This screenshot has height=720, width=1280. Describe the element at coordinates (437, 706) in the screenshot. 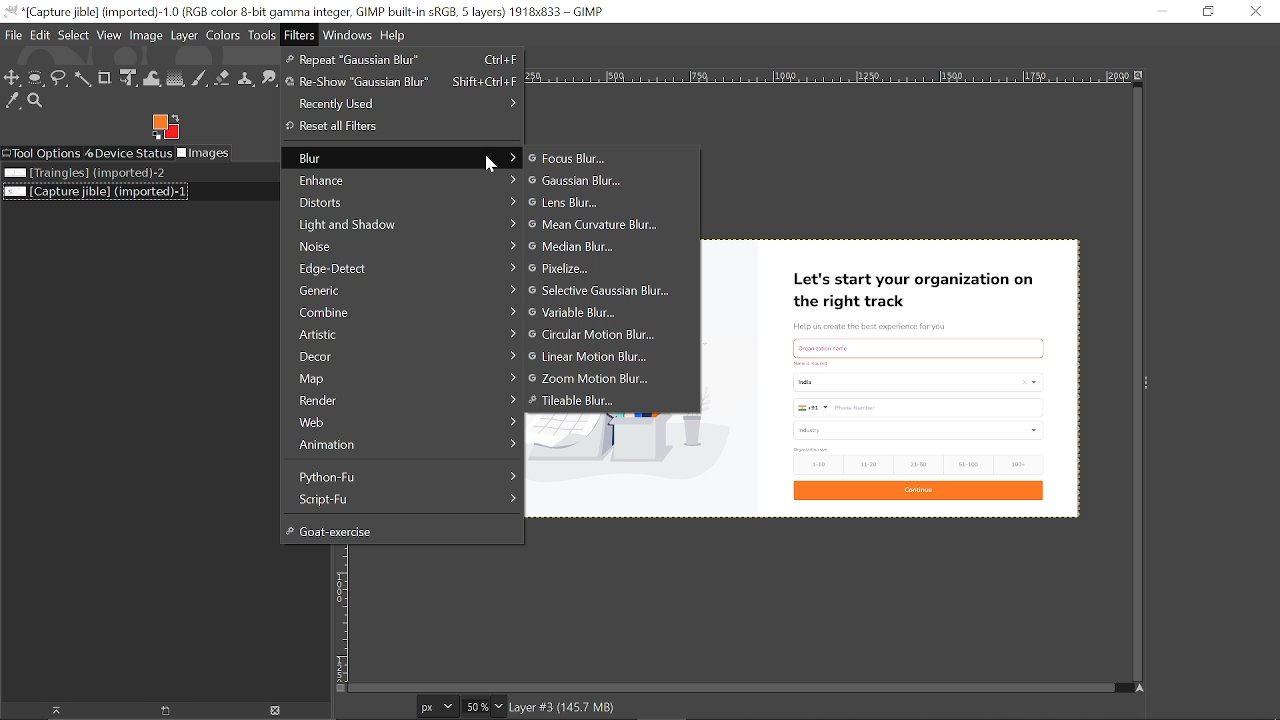

I see `Current image Units ` at that location.